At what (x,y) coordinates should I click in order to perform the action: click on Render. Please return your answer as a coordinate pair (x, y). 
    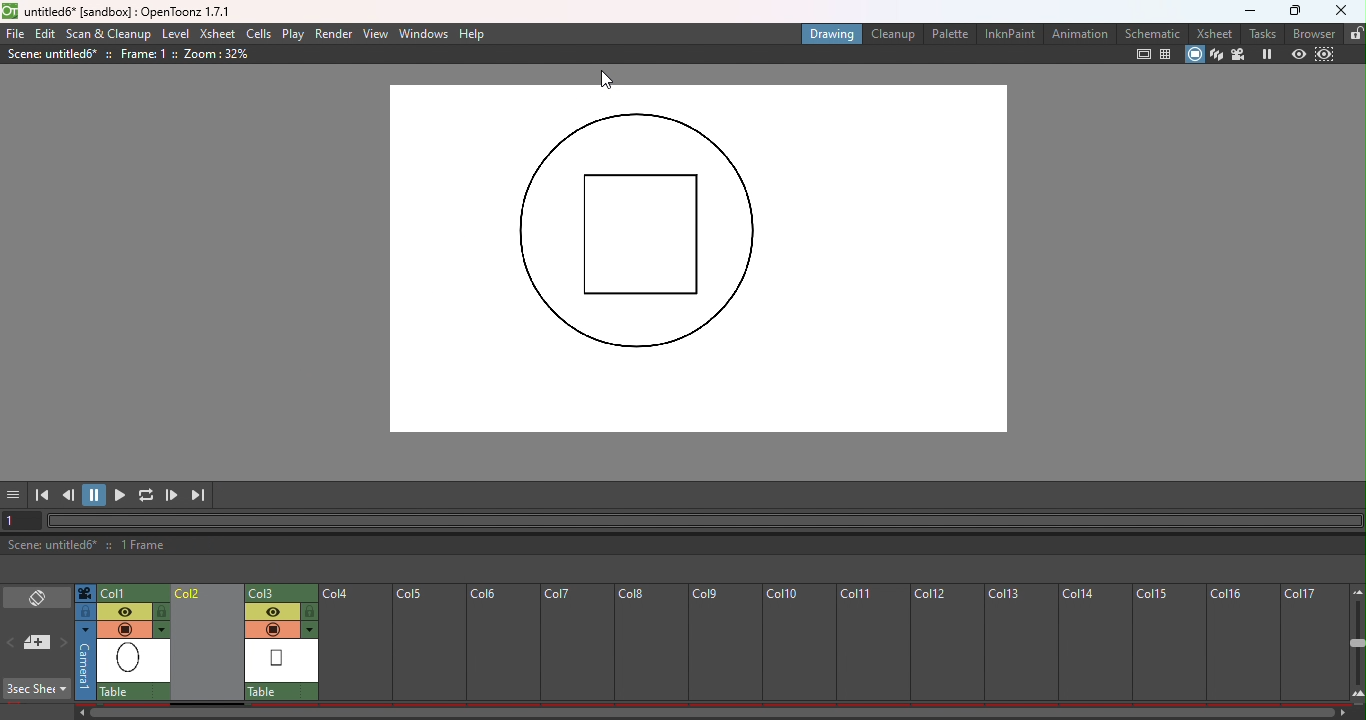
    Looking at the image, I should click on (335, 33).